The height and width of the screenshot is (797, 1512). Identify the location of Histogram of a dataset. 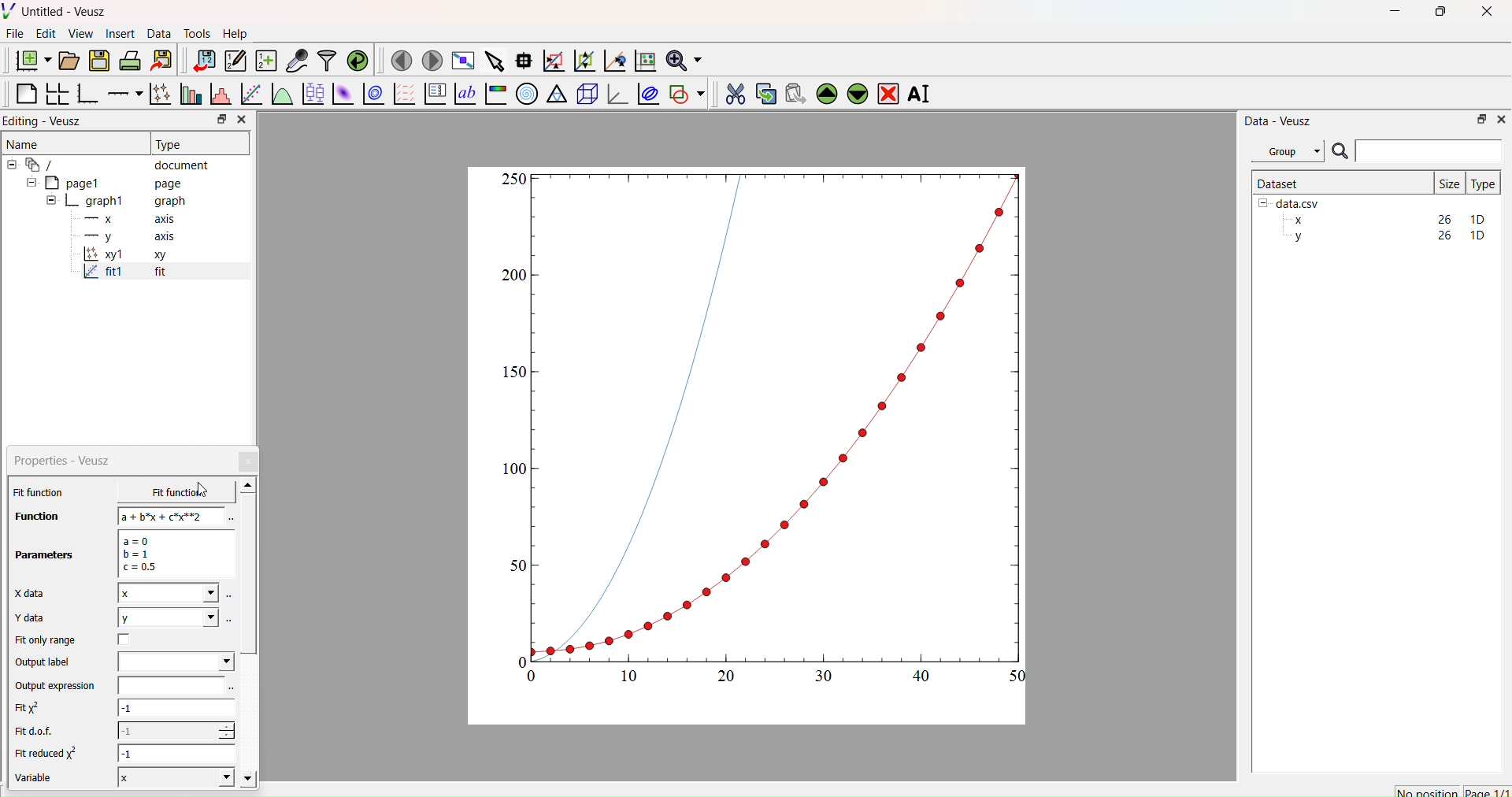
(217, 96).